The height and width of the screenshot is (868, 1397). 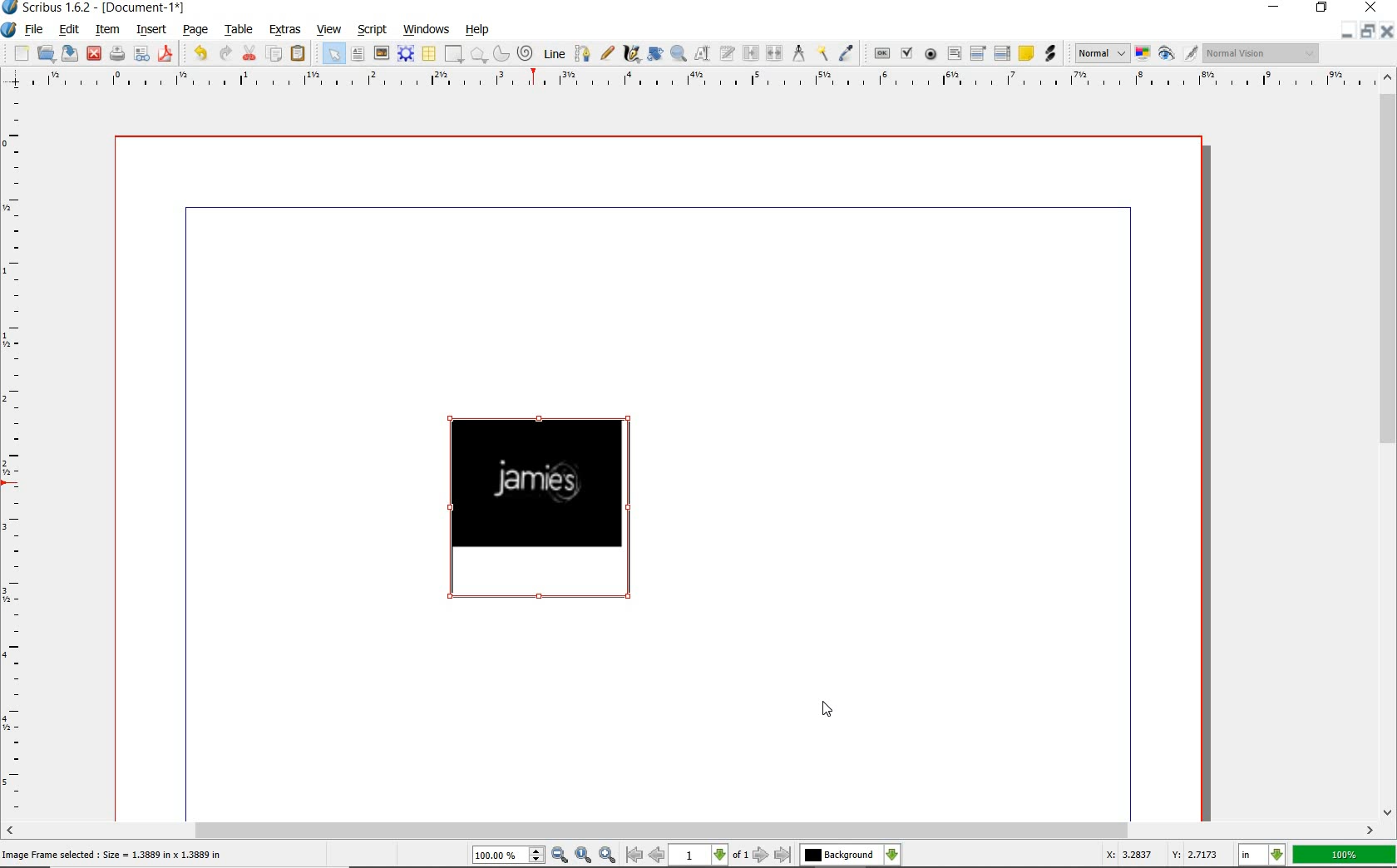 I want to click on text frame, so click(x=358, y=54).